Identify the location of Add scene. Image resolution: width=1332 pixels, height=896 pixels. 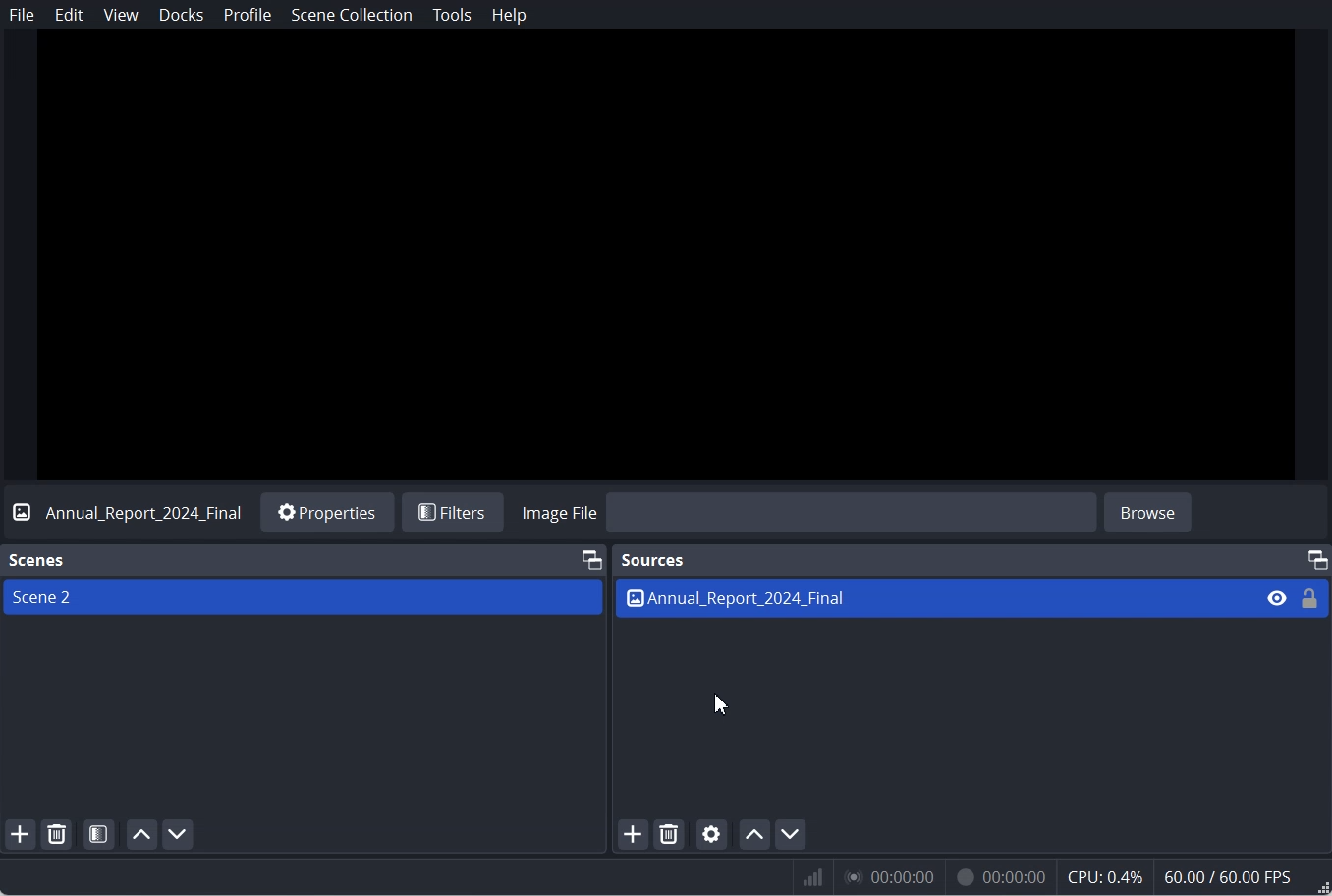
(19, 833).